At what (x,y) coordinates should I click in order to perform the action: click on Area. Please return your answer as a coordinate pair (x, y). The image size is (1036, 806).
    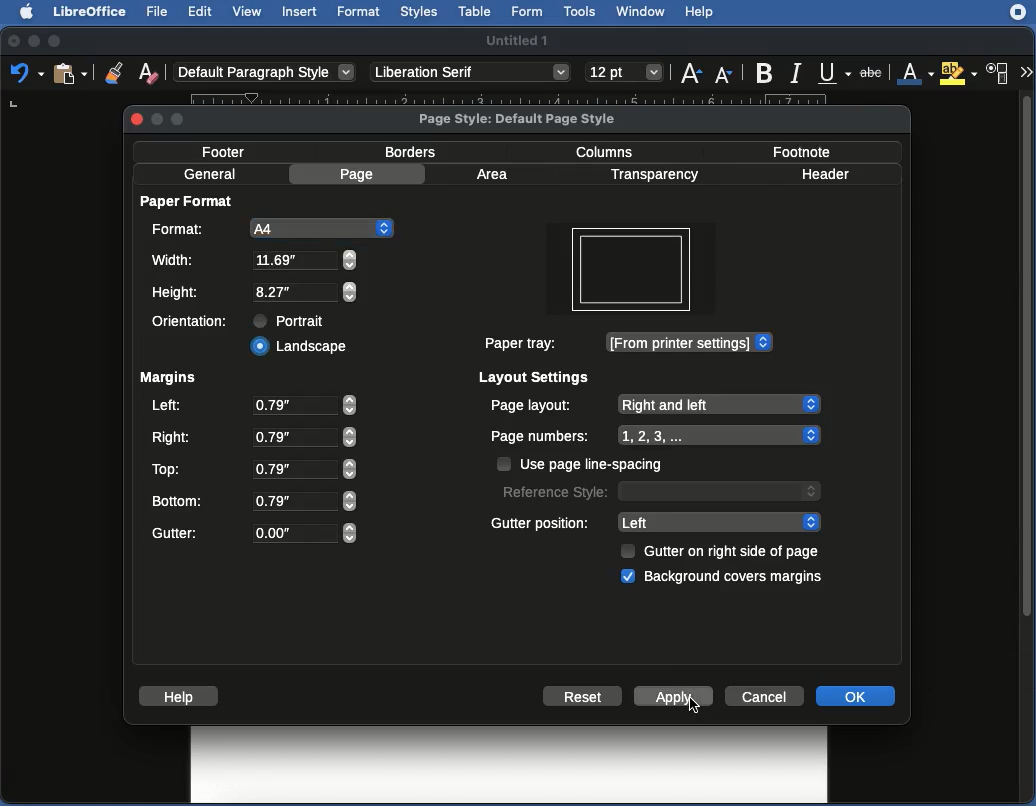
    Looking at the image, I should click on (496, 174).